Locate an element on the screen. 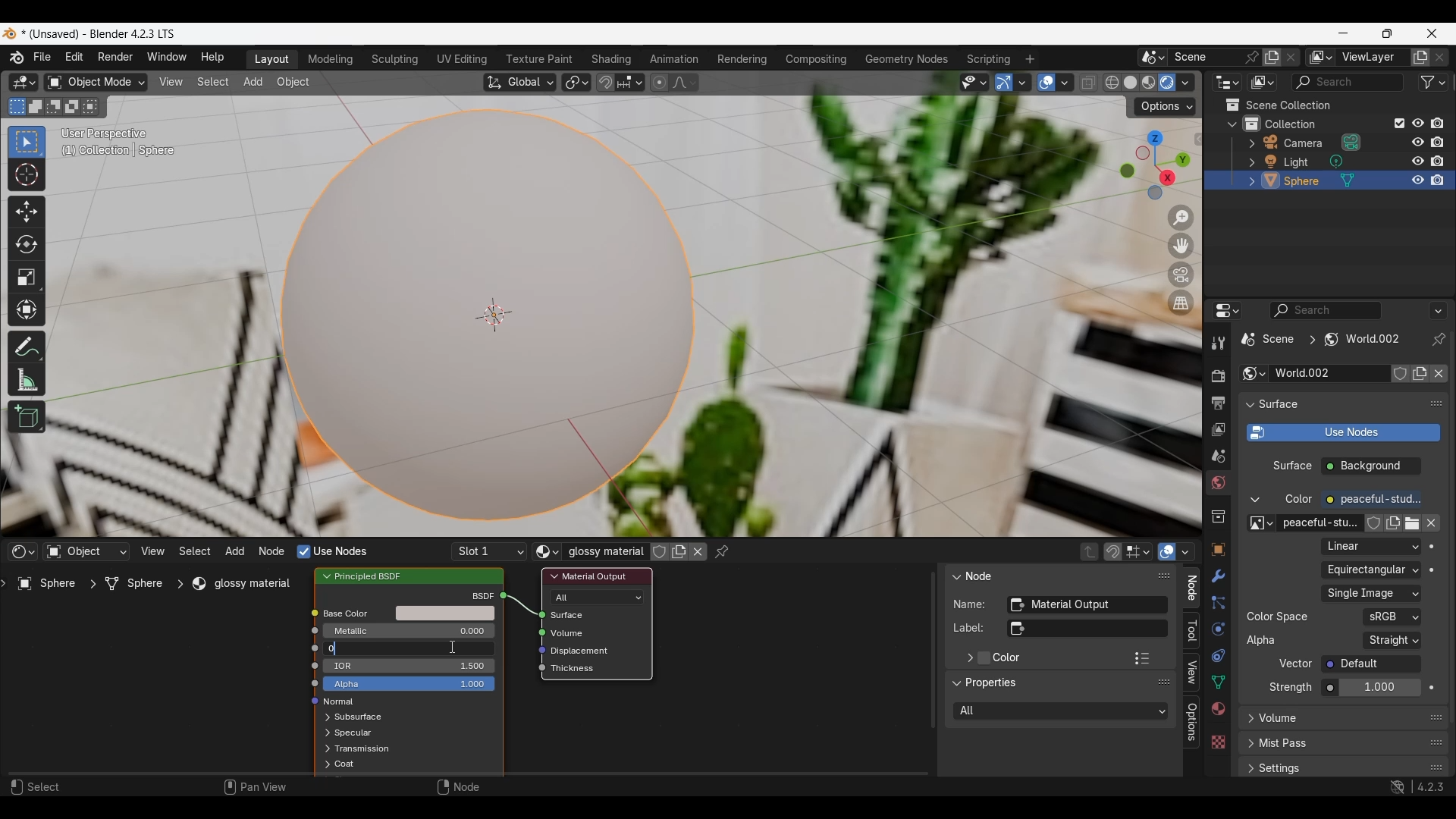  Rotate is located at coordinates (27, 243).